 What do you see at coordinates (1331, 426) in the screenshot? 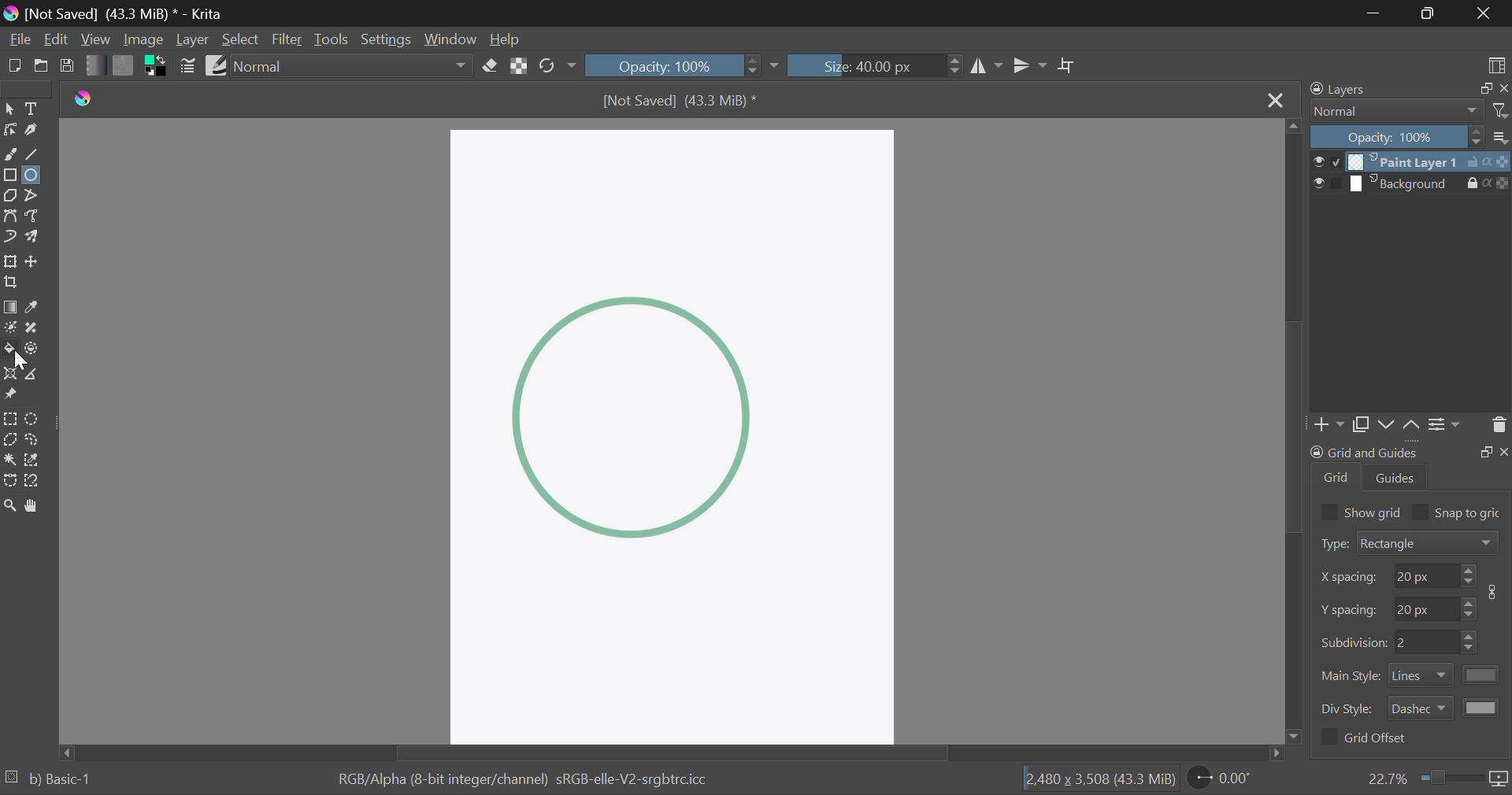
I see `Add Layer` at bounding box center [1331, 426].